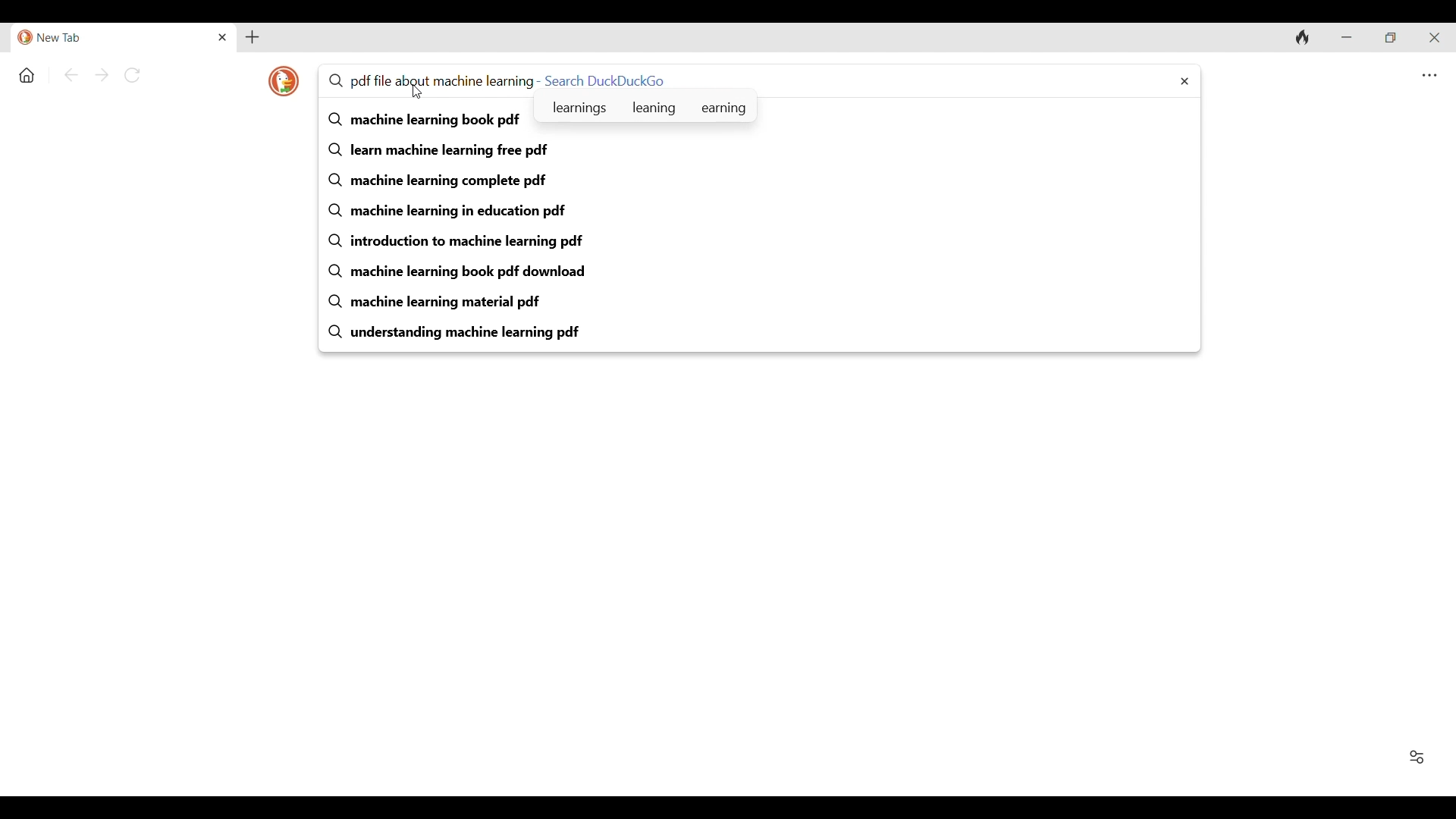 The image size is (1456, 819). I want to click on learnings, so click(579, 107).